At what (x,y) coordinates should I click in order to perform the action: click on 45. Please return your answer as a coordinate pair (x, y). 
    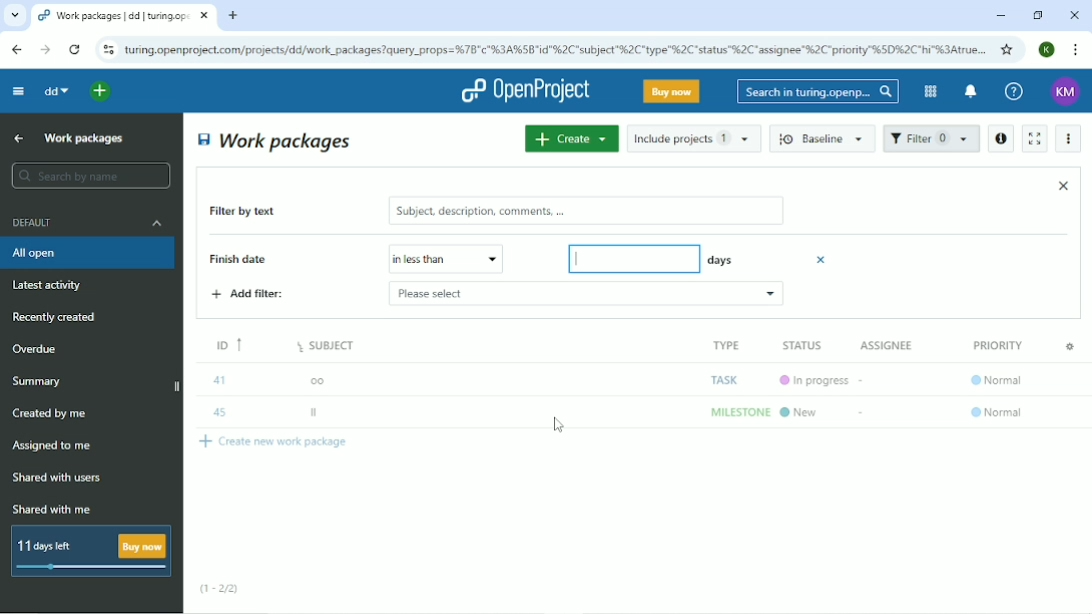
    Looking at the image, I should click on (220, 413).